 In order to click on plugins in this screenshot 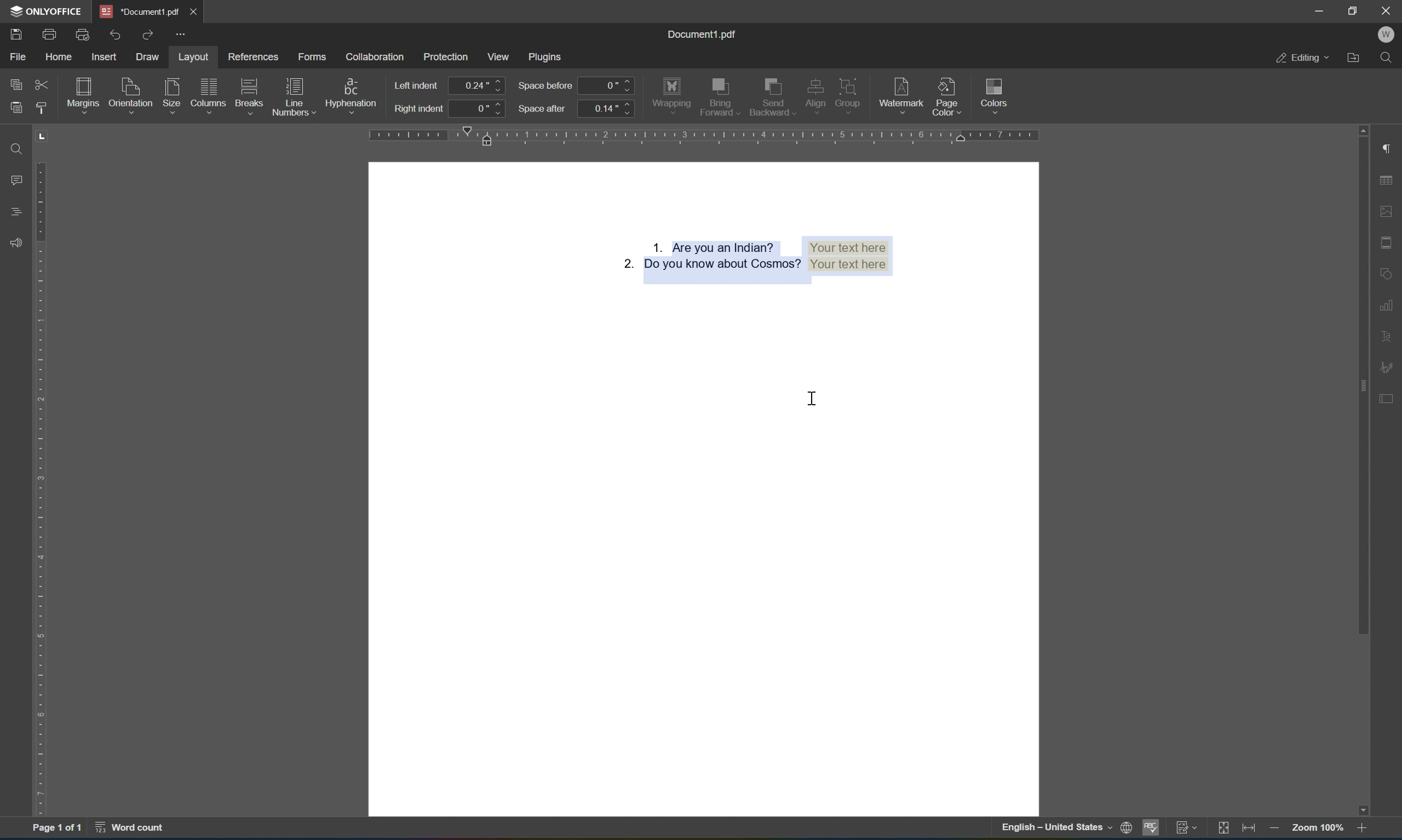, I will do `click(548, 55)`.